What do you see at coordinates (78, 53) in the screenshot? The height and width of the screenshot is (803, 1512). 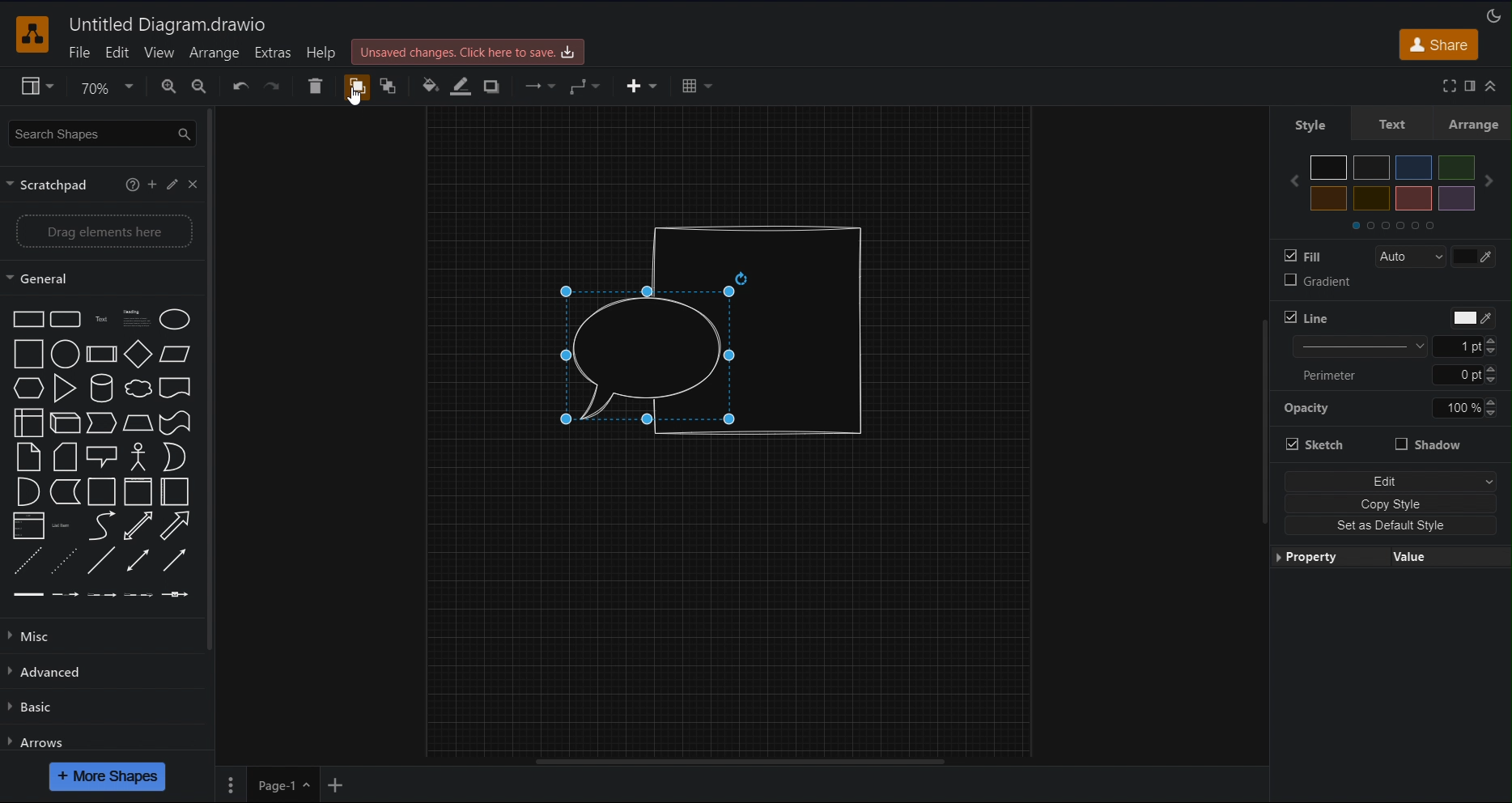 I see `File` at bounding box center [78, 53].